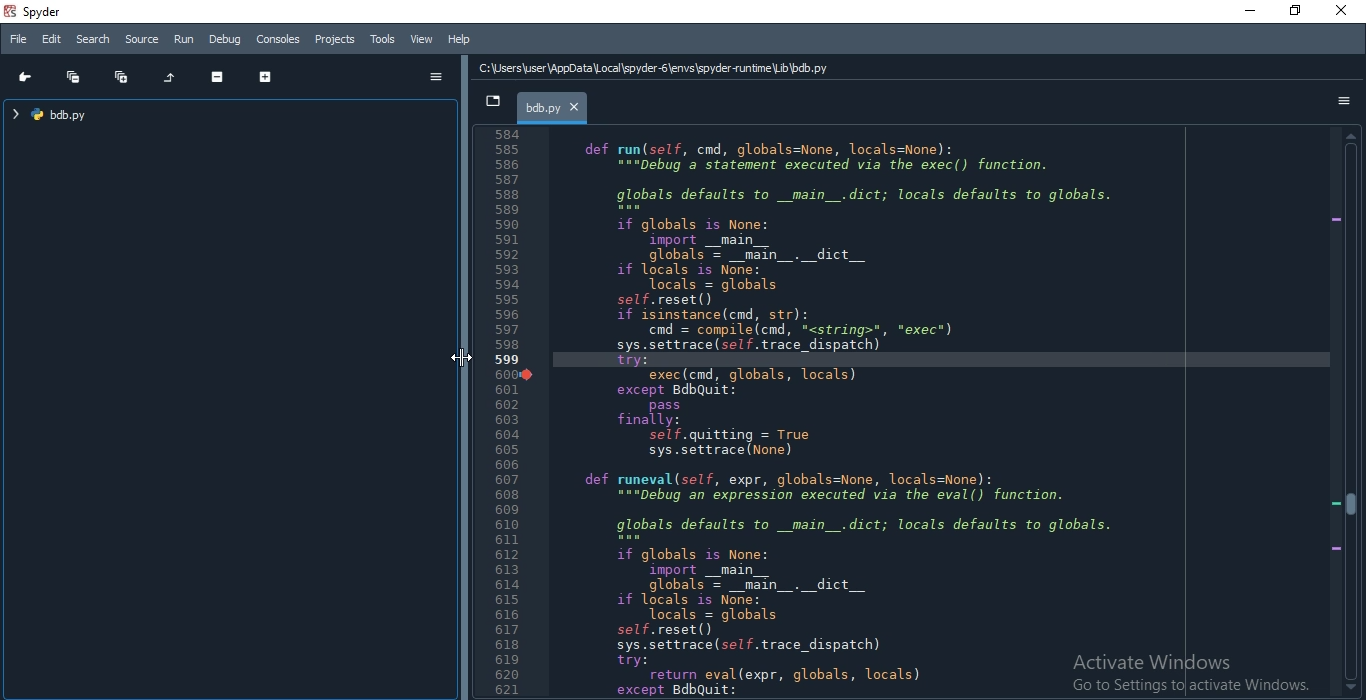 The image size is (1366, 700). What do you see at coordinates (1295, 12) in the screenshot?
I see `restore` at bounding box center [1295, 12].